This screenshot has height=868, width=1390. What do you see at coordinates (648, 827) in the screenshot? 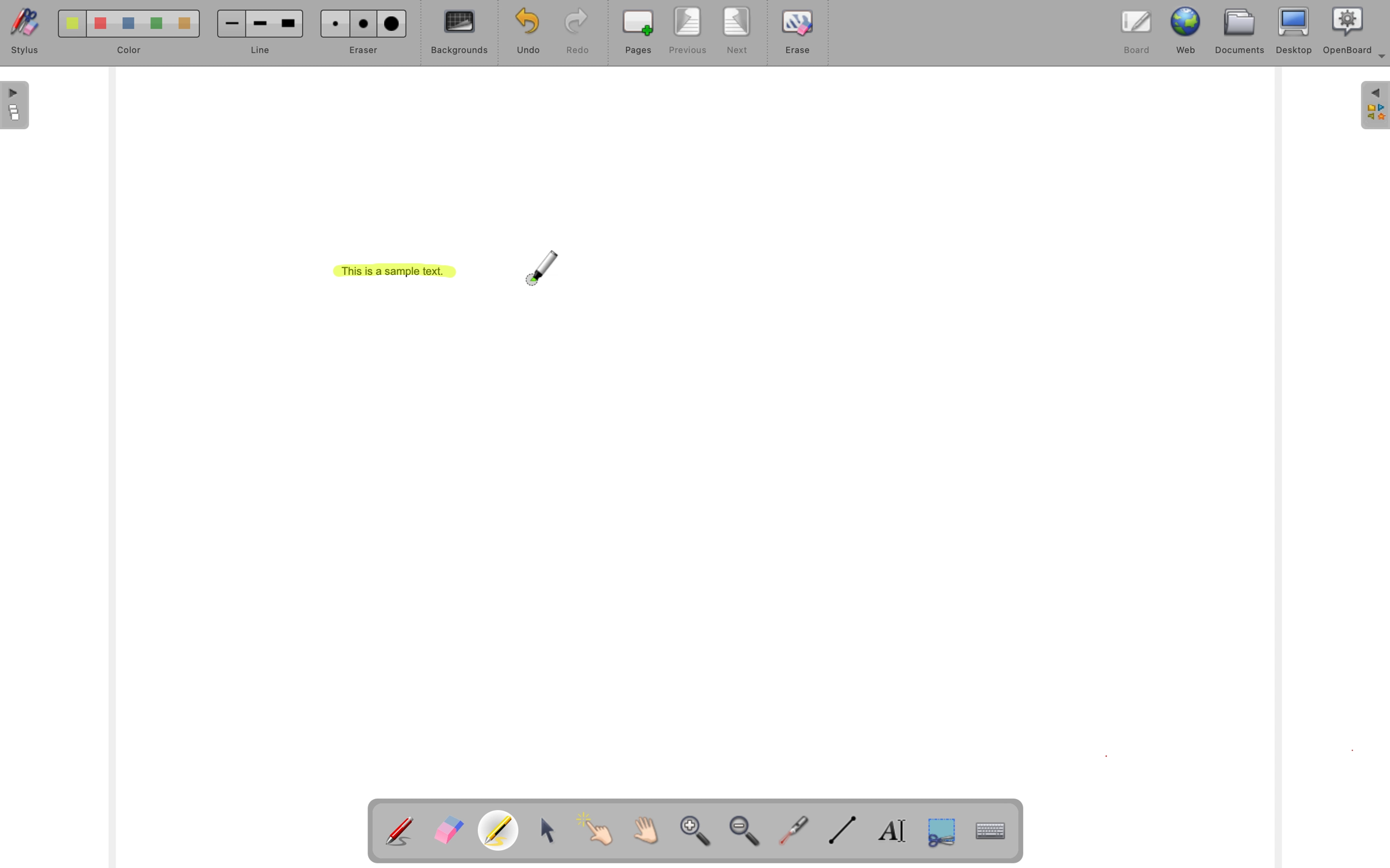
I see `Scroll page` at bounding box center [648, 827].